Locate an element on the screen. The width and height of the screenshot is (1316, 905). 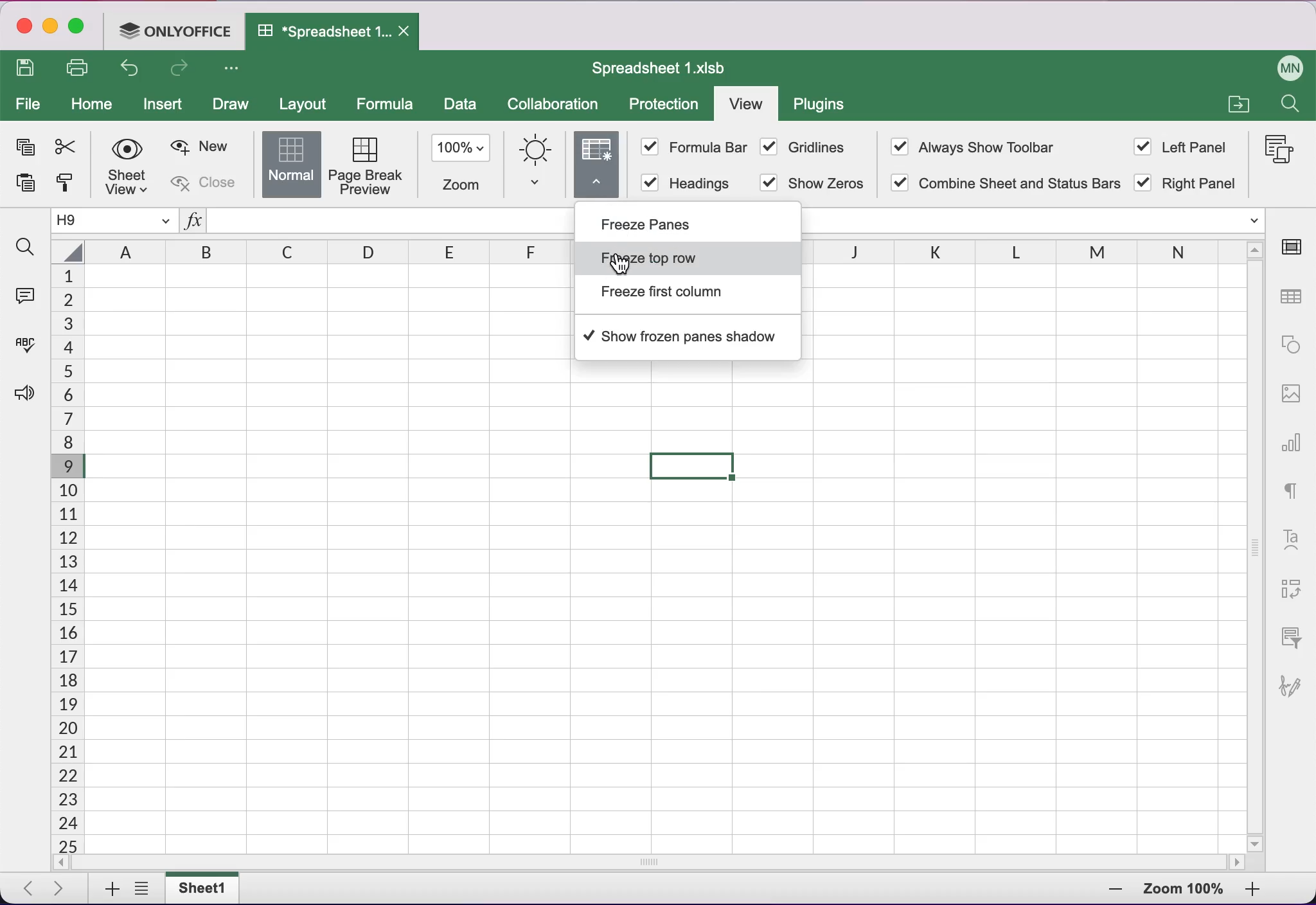
 is located at coordinates (1288, 241).